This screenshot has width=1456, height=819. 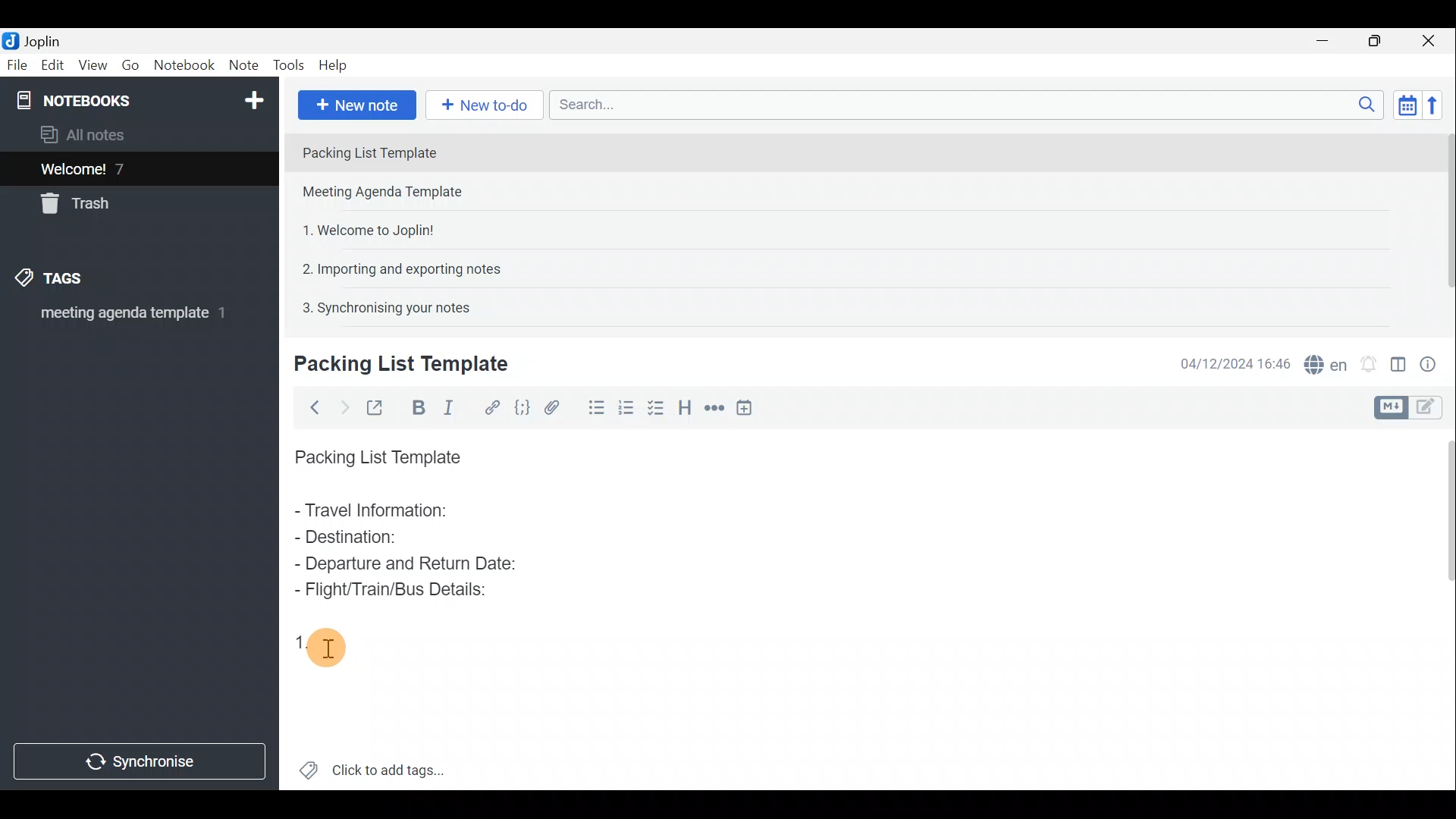 I want to click on Note properties, so click(x=1433, y=362).